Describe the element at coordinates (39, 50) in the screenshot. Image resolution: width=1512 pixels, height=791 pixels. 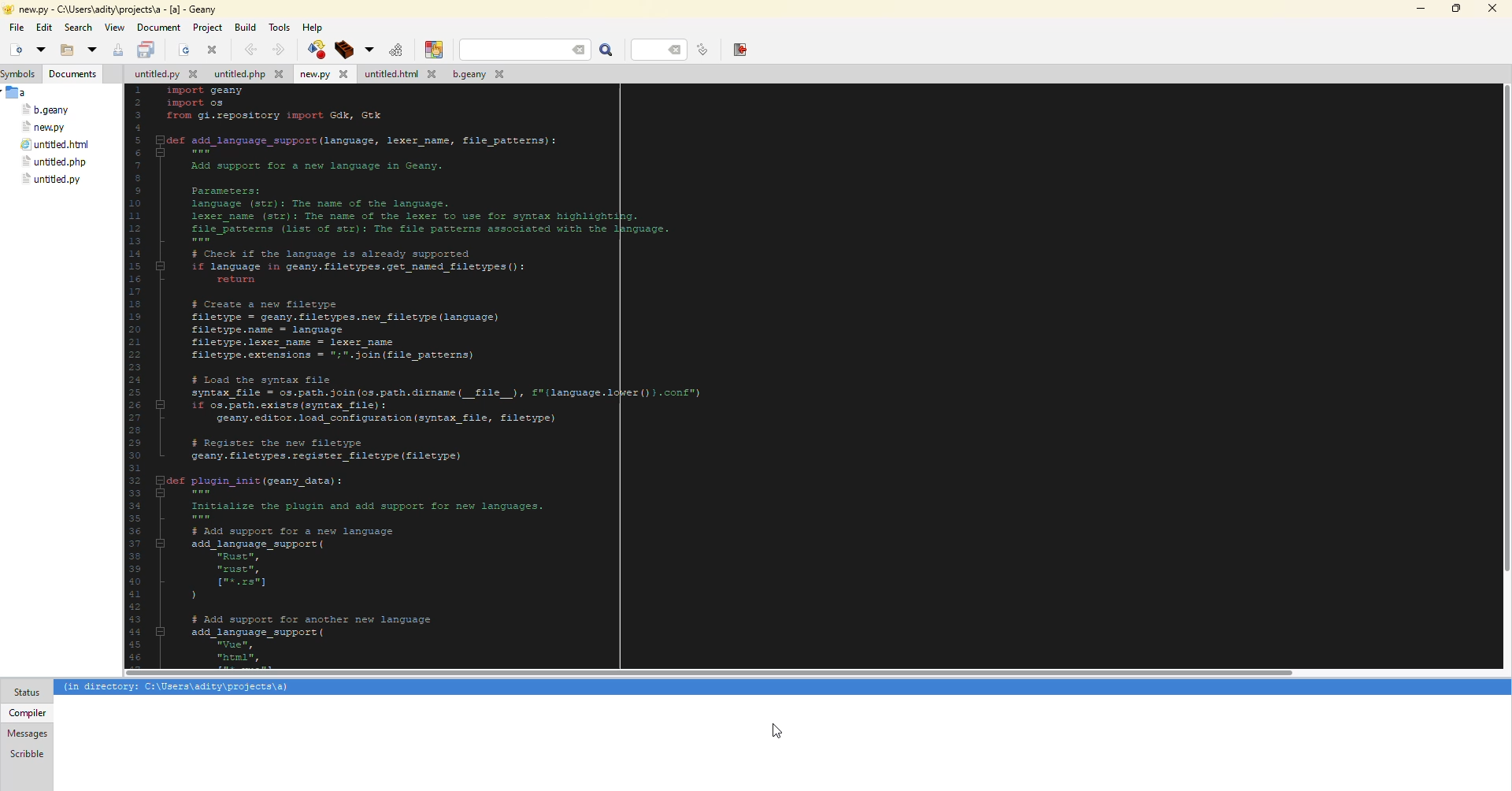
I see `open` at that location.